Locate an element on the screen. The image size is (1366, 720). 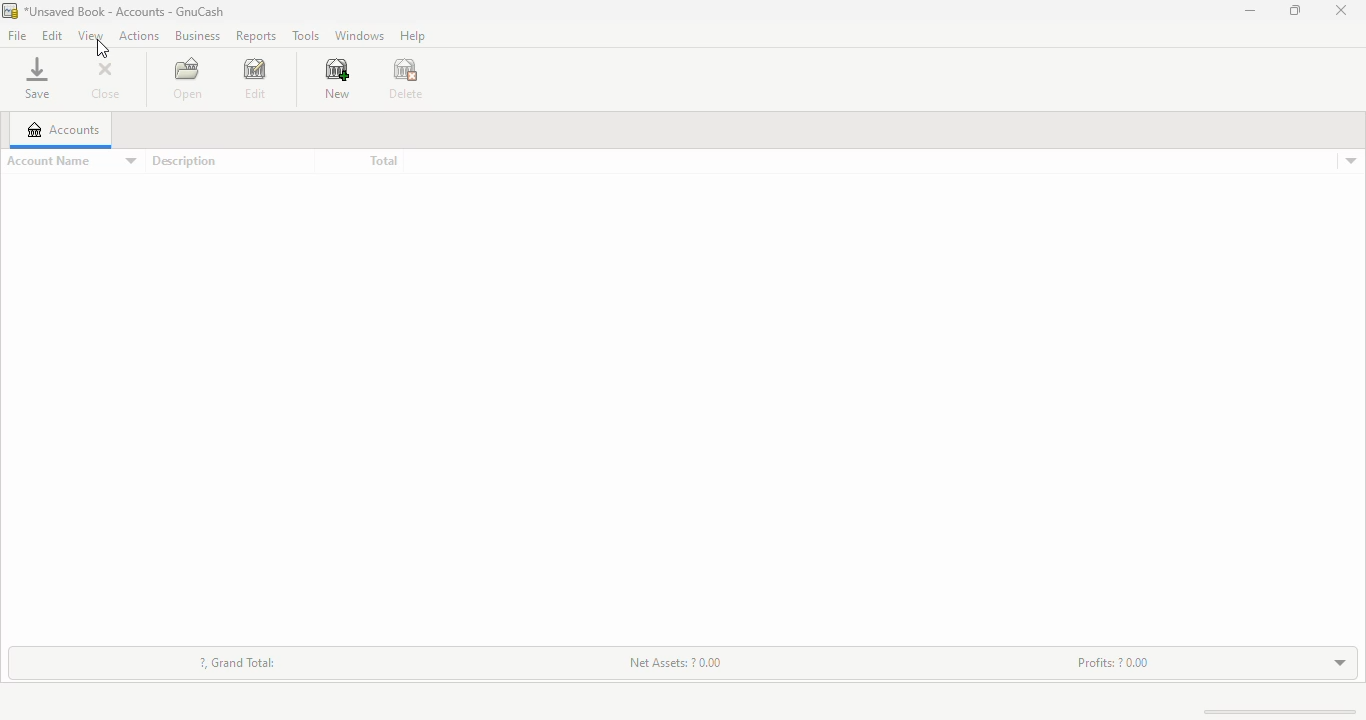
close is located at coordinates (106, 82).